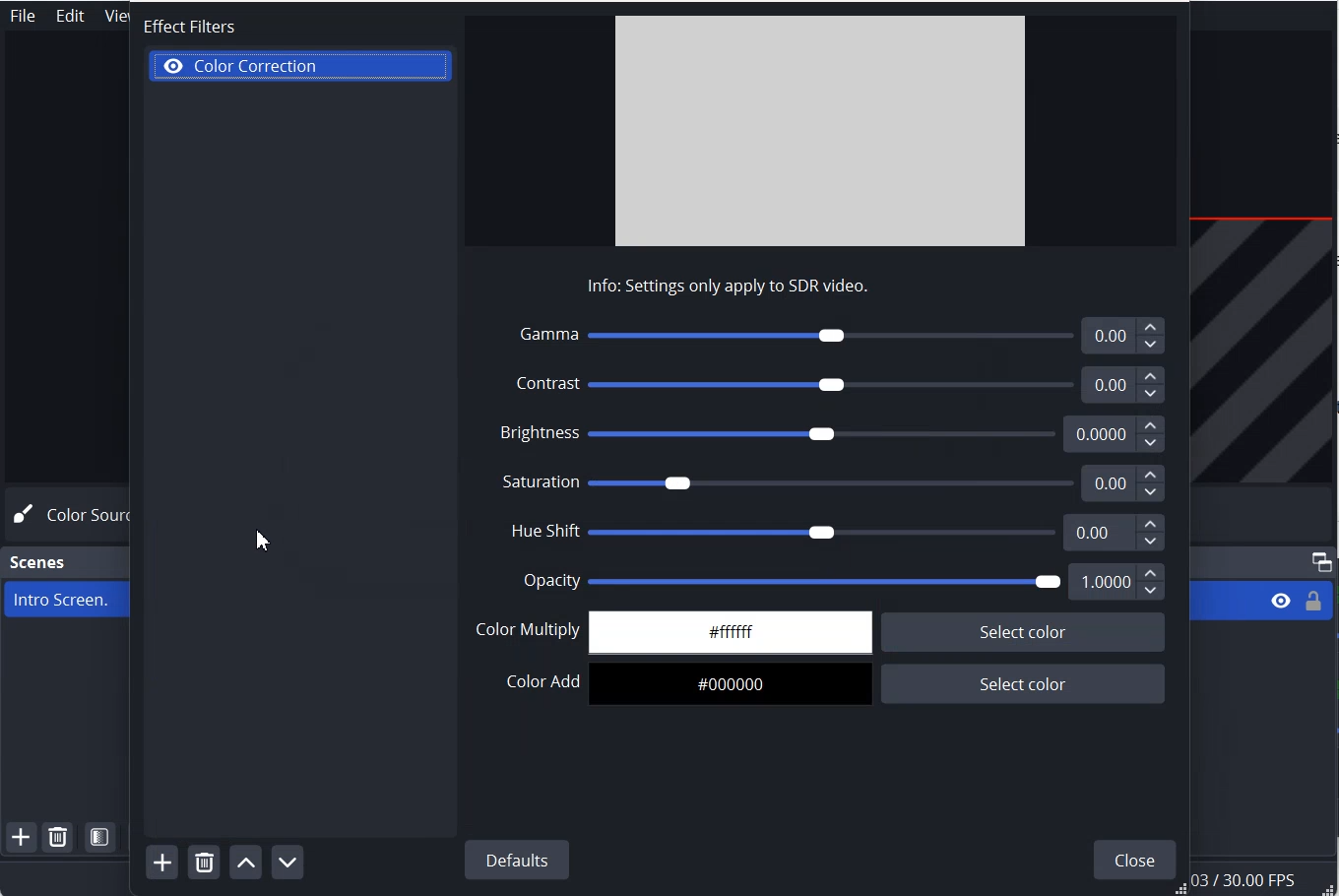 This screenshot has width=1339, height=896. Describe the element at coordinates (826, 685) in the screenshot. I see `Color Add` at that location.